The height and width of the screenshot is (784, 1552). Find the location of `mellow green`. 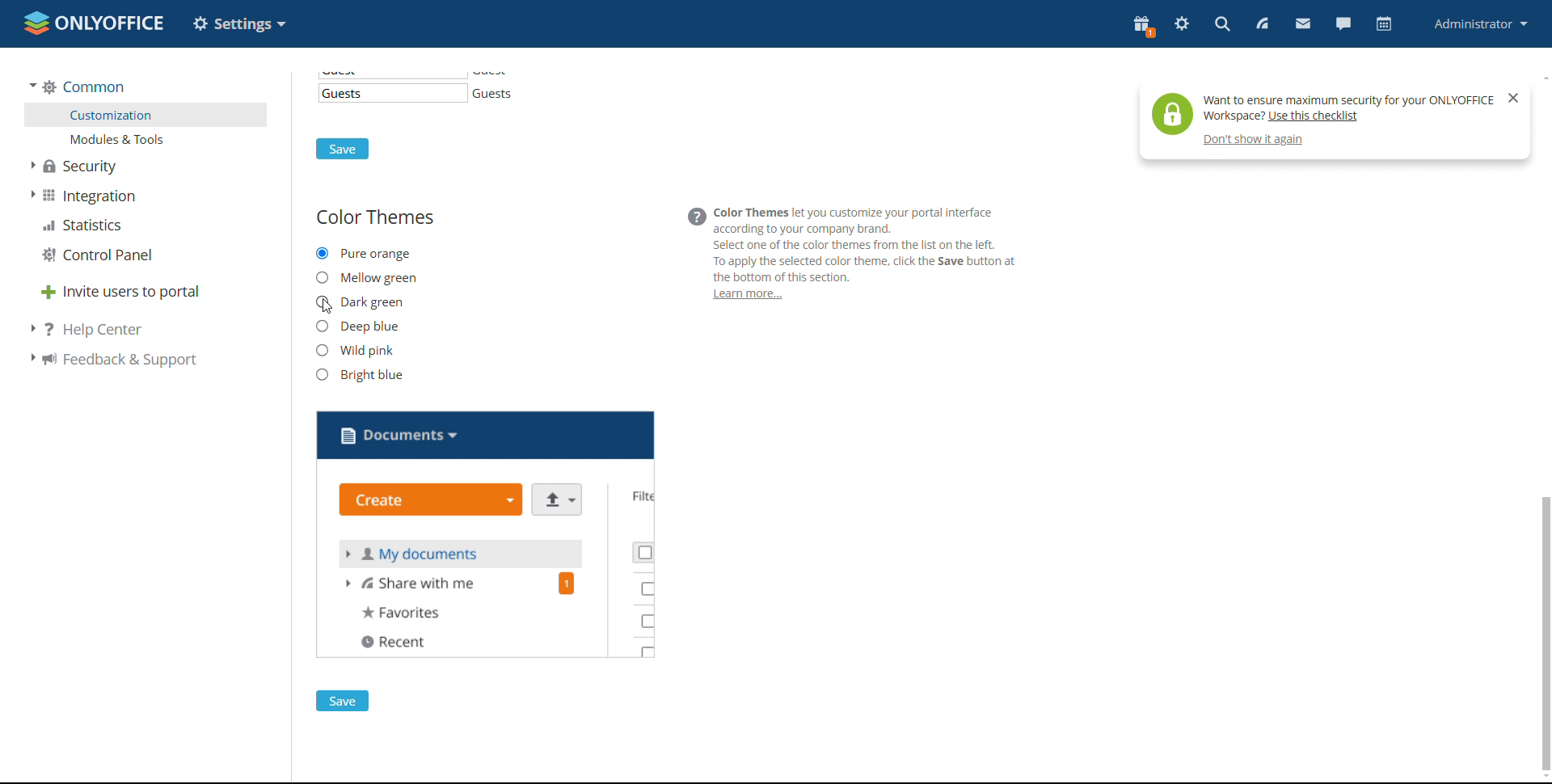

mellow green is located at coordinates (367, 278).